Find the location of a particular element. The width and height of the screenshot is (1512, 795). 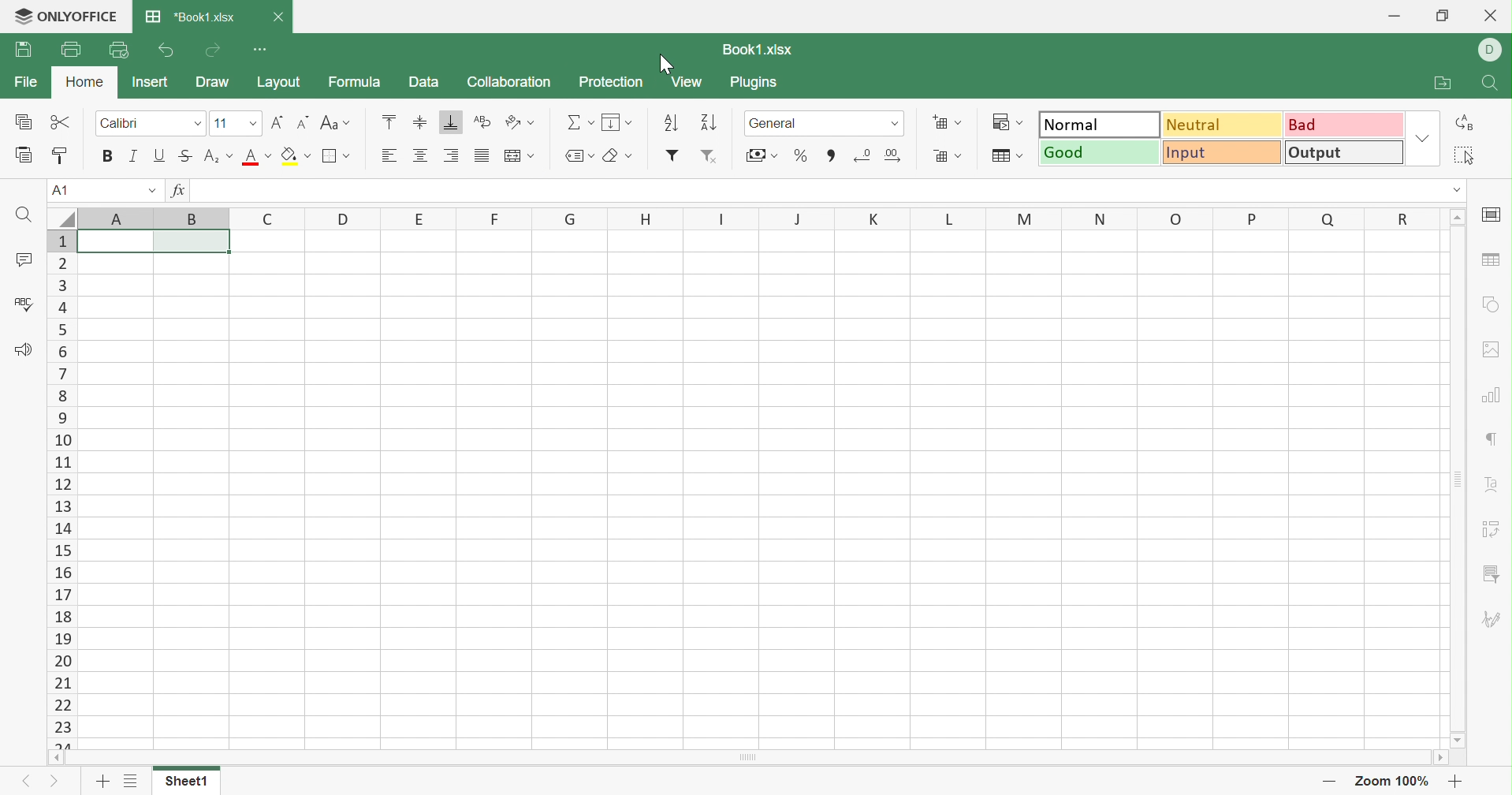

DELL is located at coordinates (1492, 47).